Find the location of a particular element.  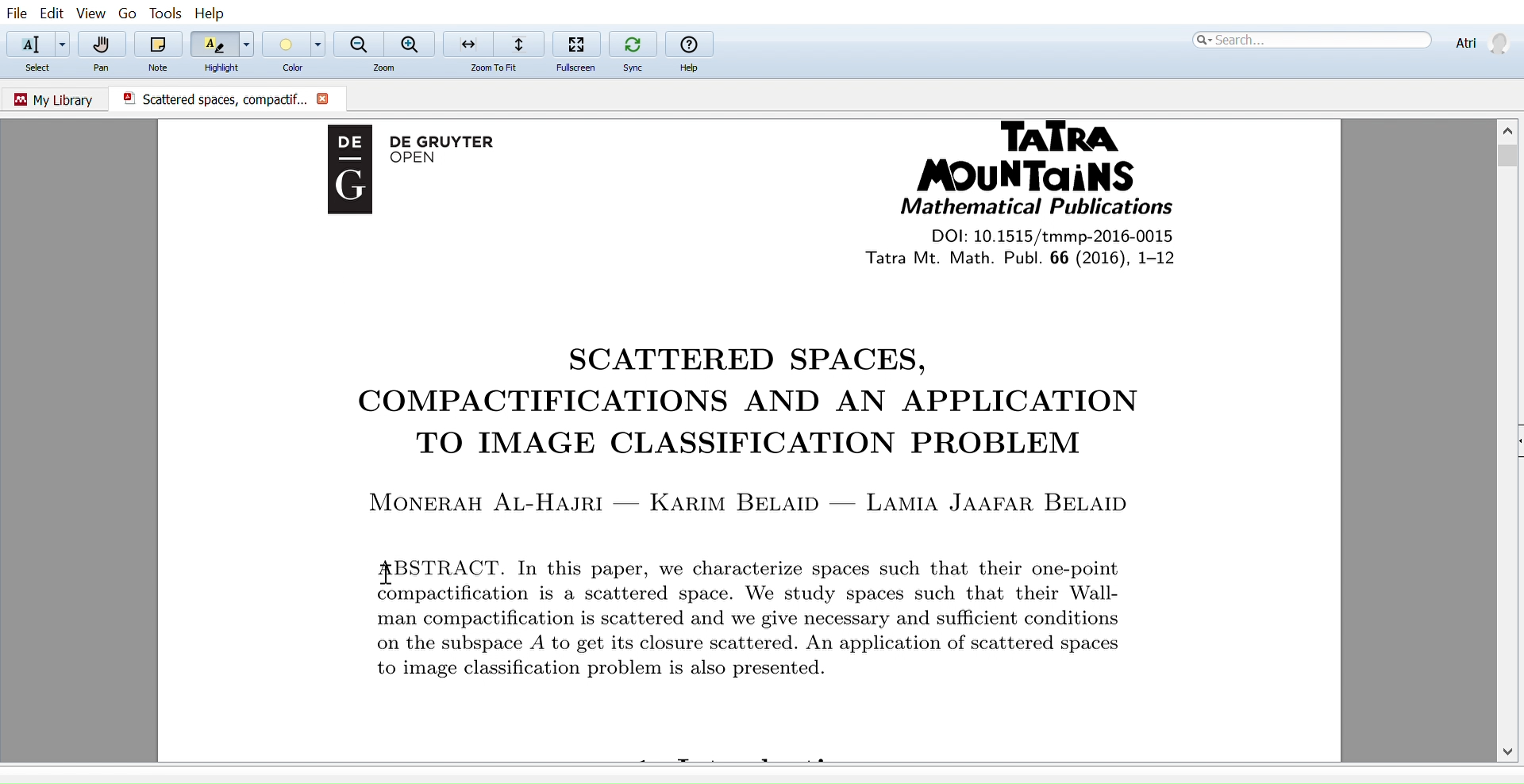

TO IMAGE CLASSIFICATION PROBLEM is located at coordinates (760, 445).